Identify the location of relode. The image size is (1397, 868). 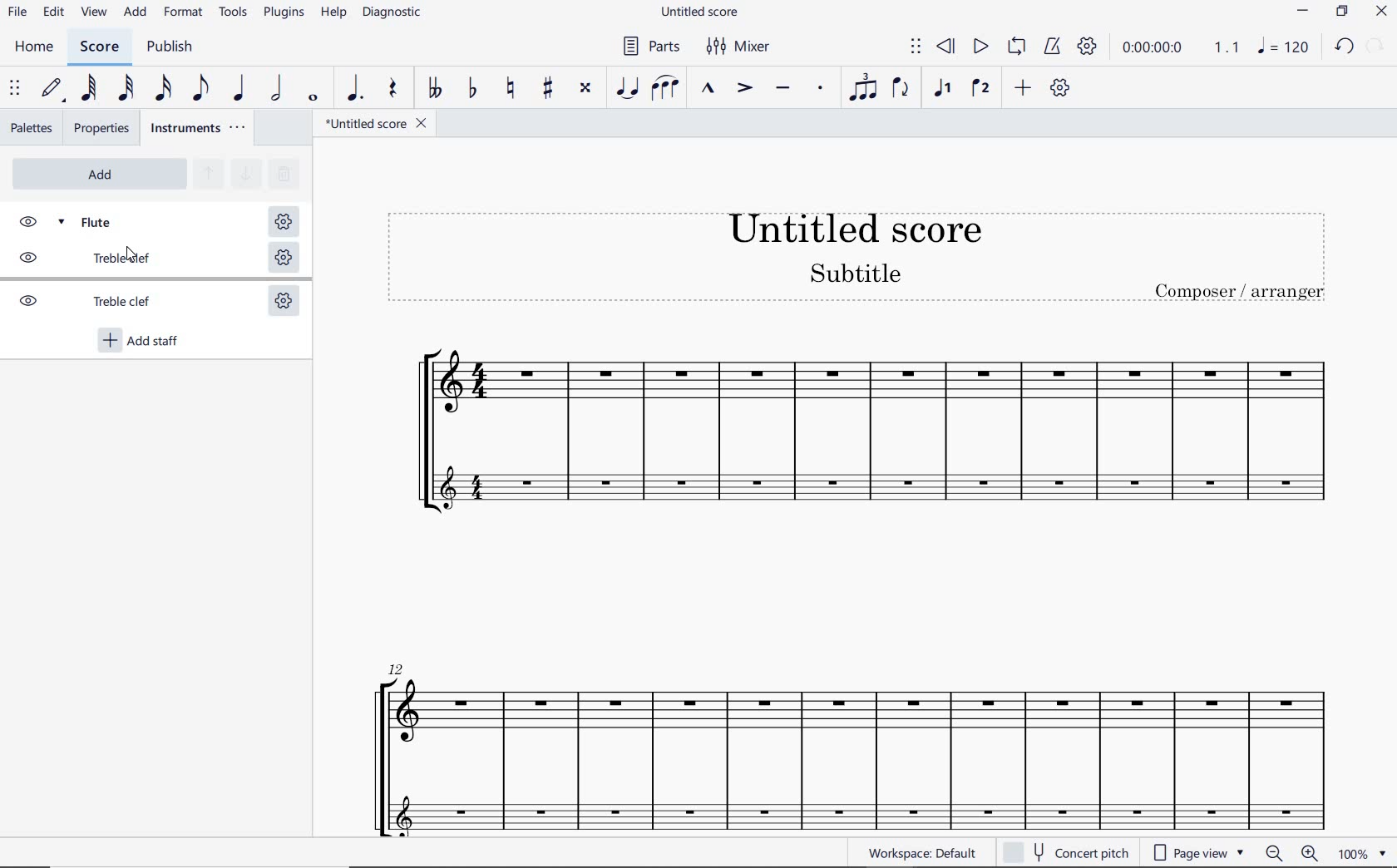
(1376, 44).